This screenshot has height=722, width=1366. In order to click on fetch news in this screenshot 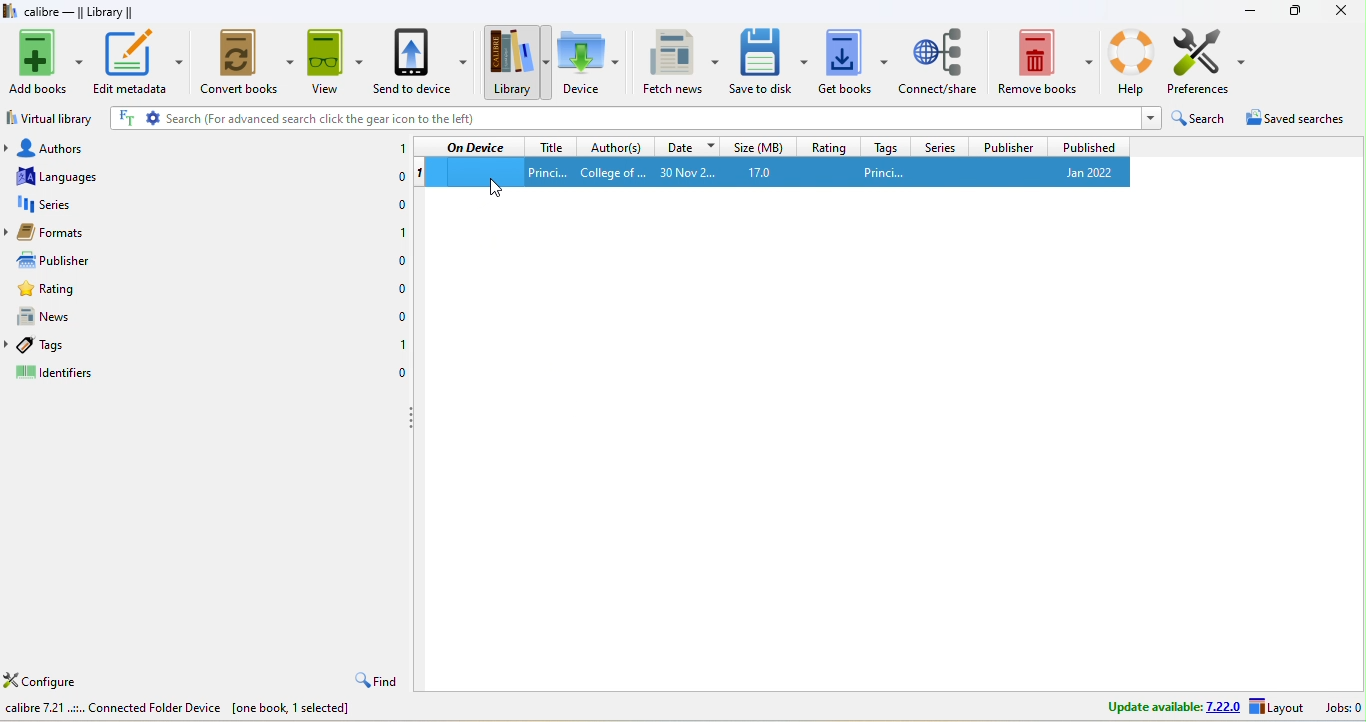, I will do `click(682, 60)`.